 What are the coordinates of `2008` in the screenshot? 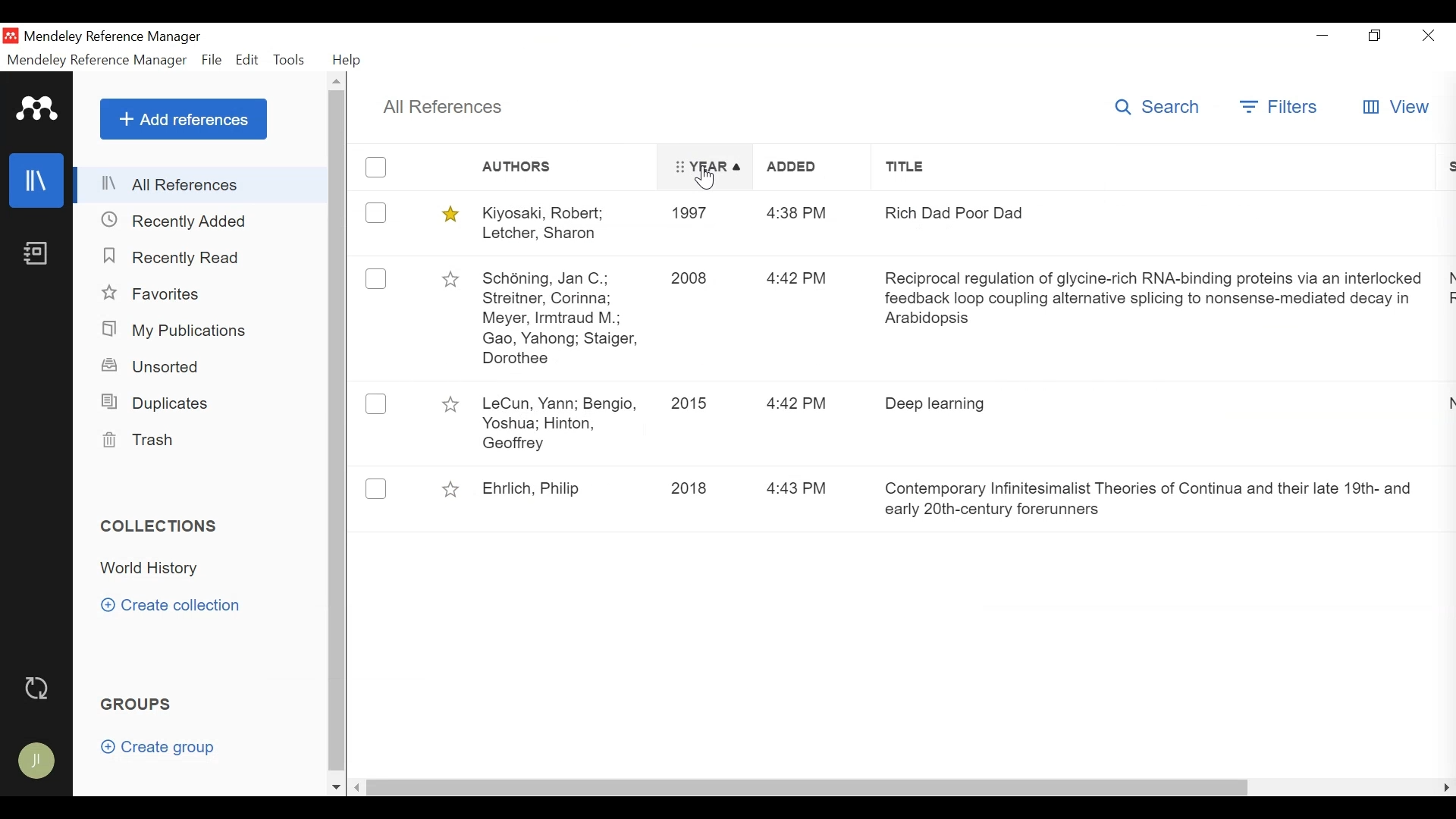 It's located at (692, 281).